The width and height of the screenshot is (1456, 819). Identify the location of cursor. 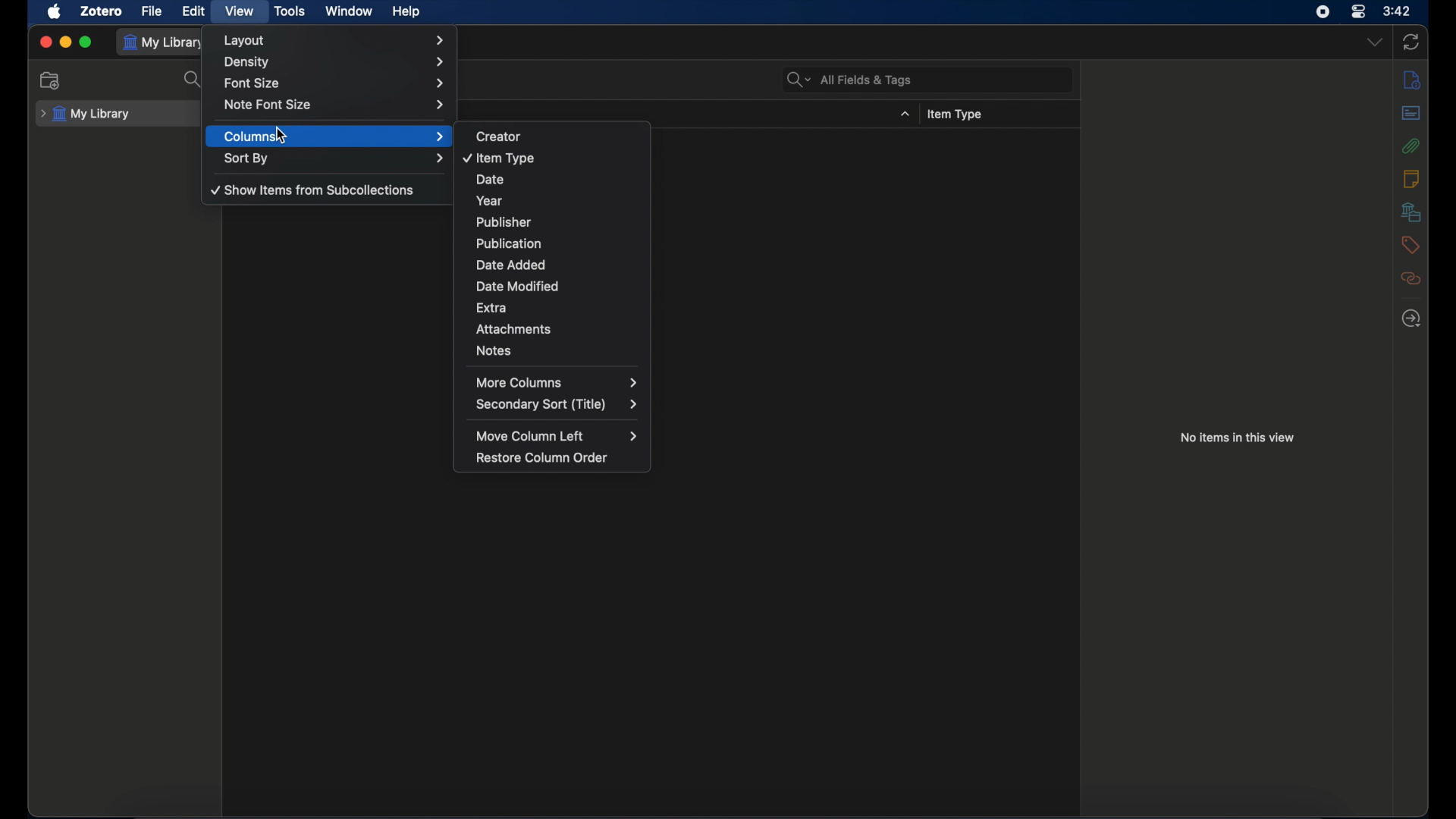
(281, 136).